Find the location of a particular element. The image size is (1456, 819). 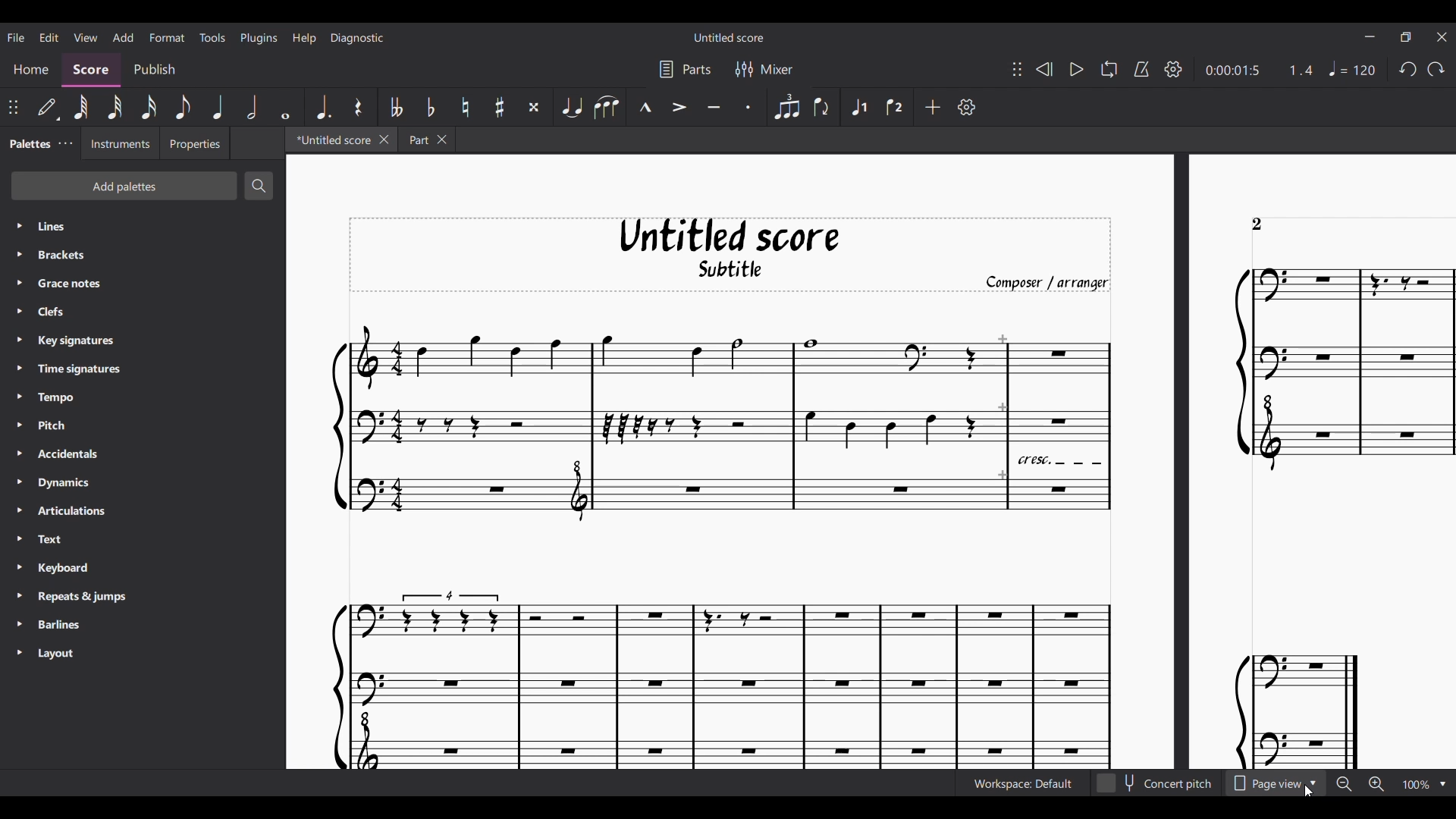

Play is located at coordinates (1077, 69).